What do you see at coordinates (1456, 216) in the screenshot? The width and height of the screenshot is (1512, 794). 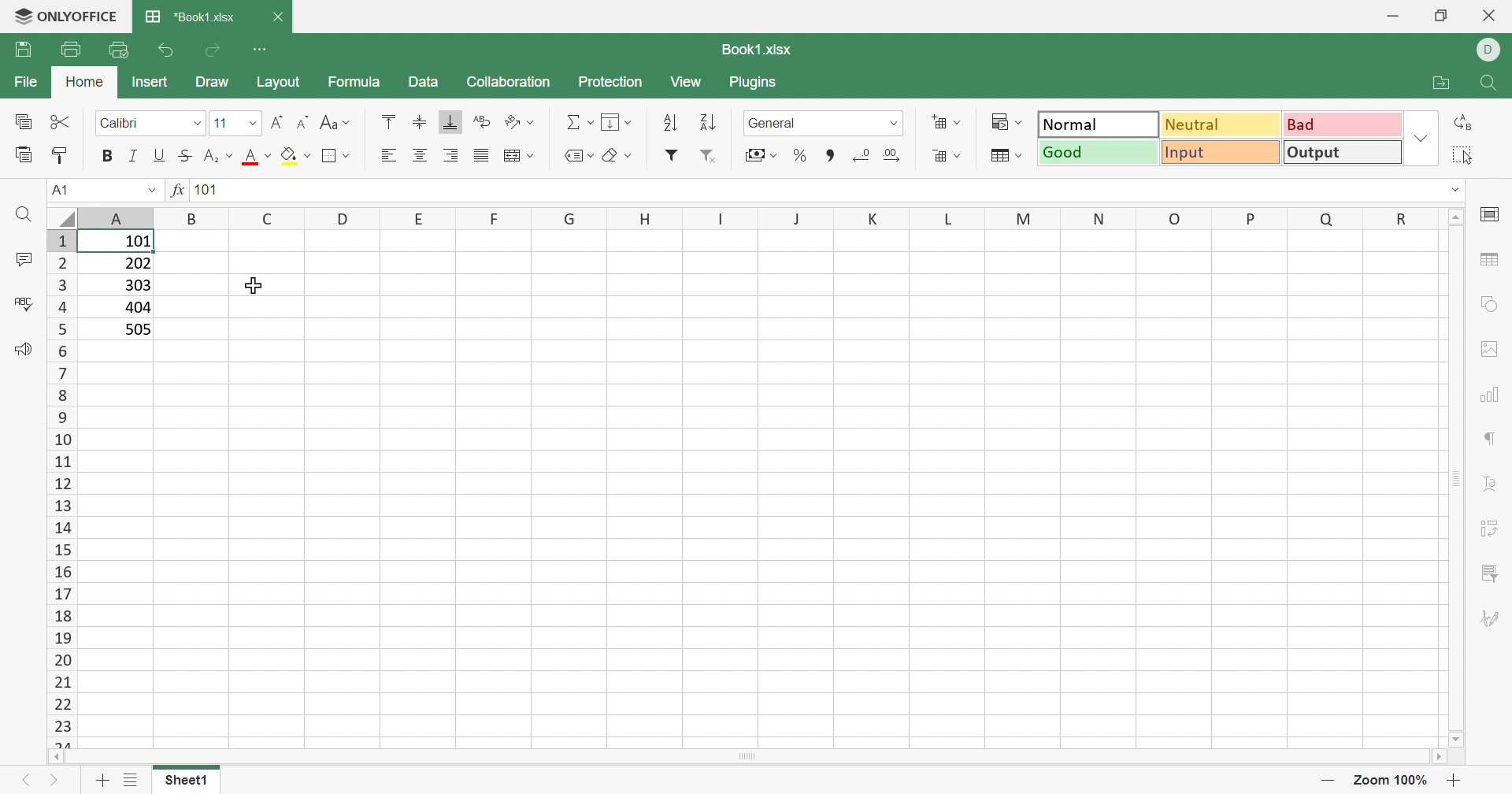 I see `Scroll Up settings` at bounding box center [1456, 216].